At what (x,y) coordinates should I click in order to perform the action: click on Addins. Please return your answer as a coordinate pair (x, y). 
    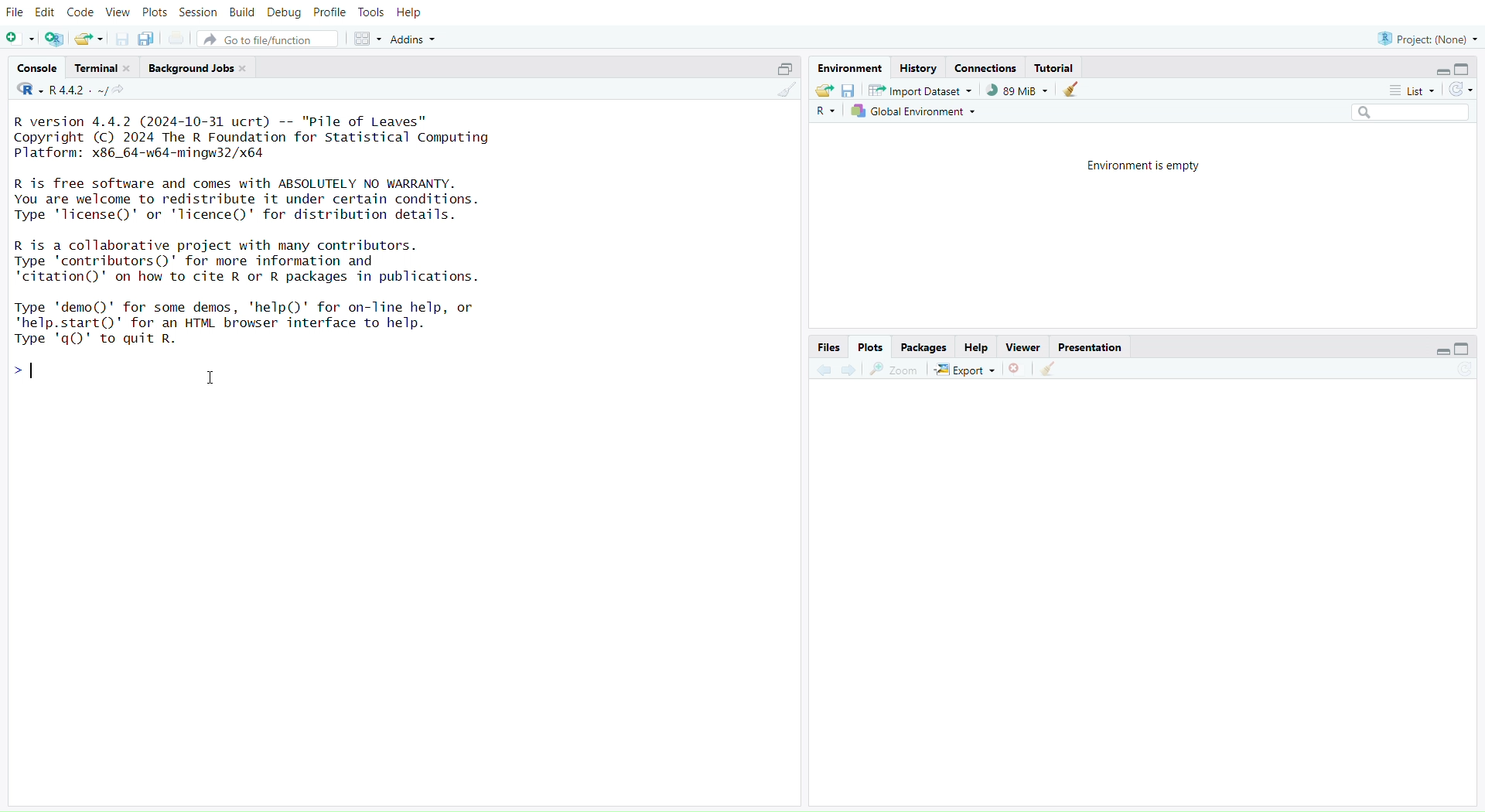
    Looking at the image, I should click on (413, 39).